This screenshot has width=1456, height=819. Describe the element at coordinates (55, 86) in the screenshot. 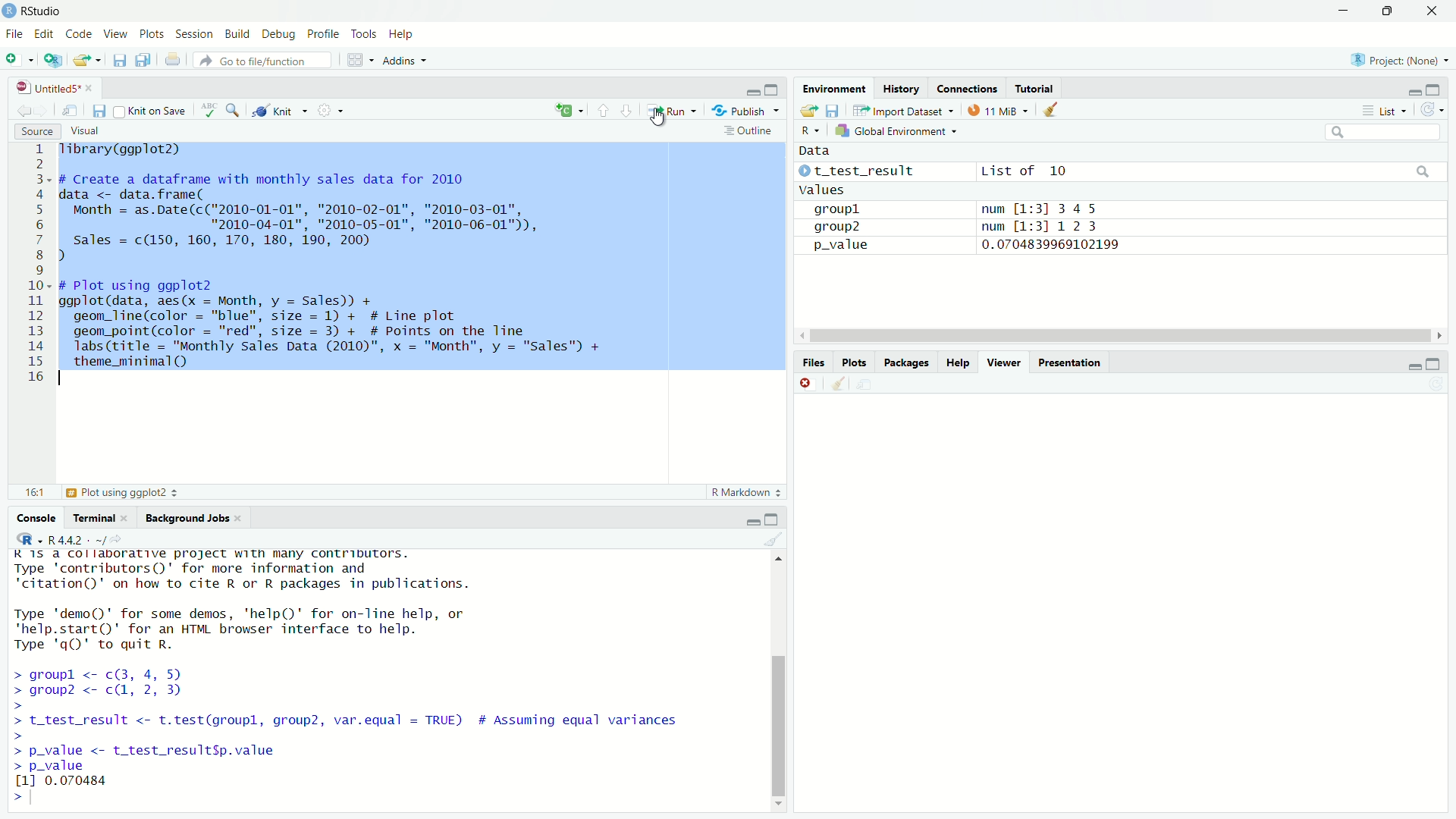

I see ` Untitleds` at that location.